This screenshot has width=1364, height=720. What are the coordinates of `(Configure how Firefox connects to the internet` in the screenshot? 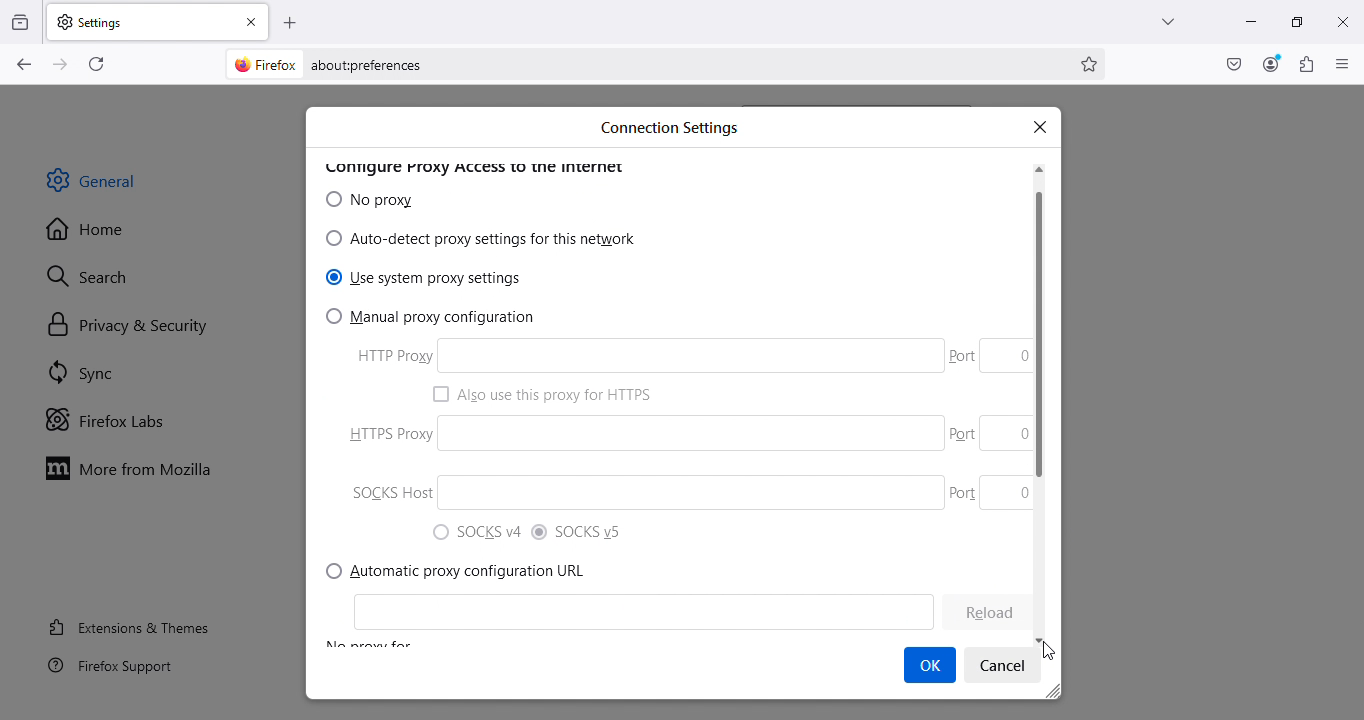 It's located at (637, 608).